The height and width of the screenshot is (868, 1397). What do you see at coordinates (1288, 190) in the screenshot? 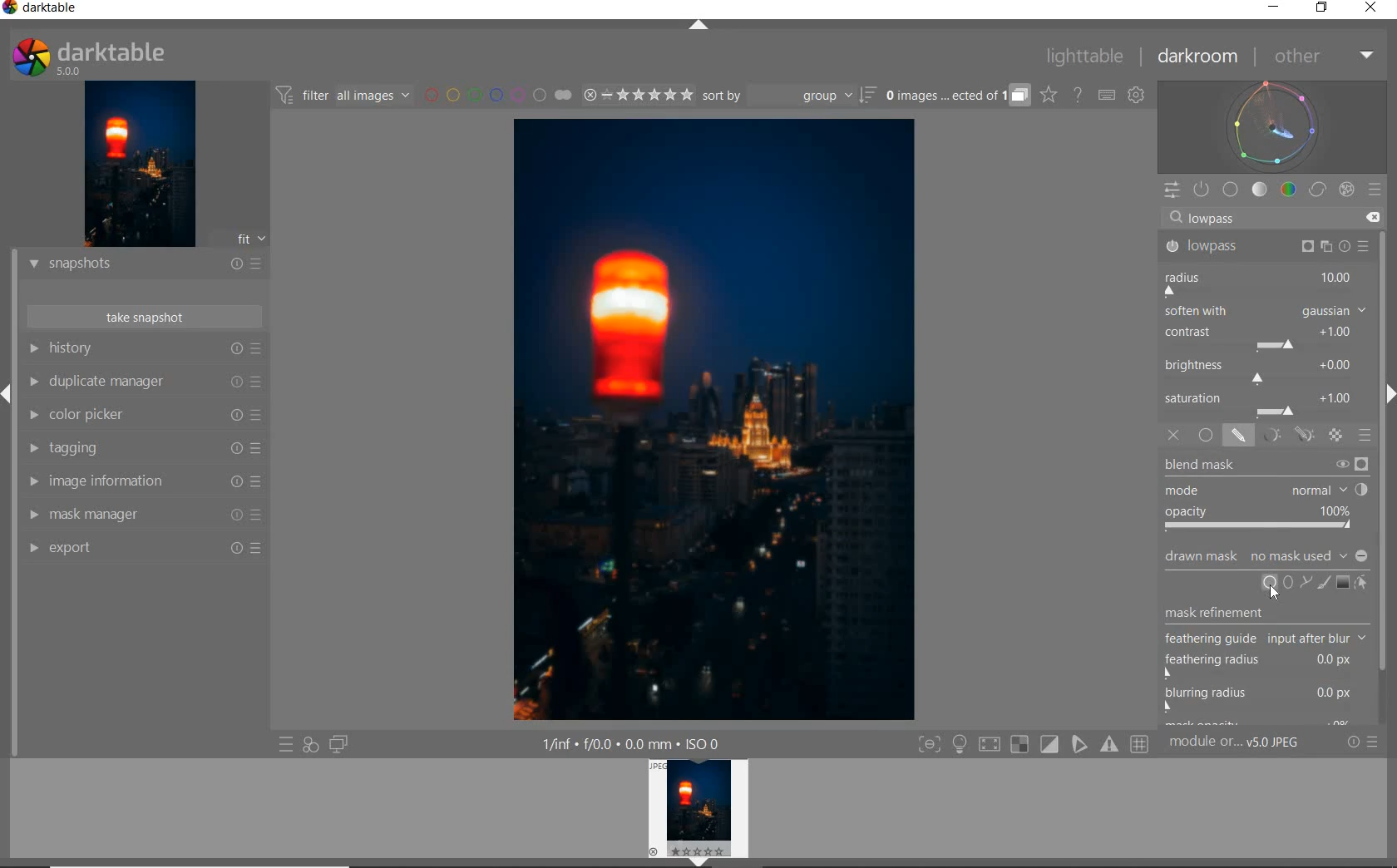
I see `COLOR` at bounding box center [1288, 190].